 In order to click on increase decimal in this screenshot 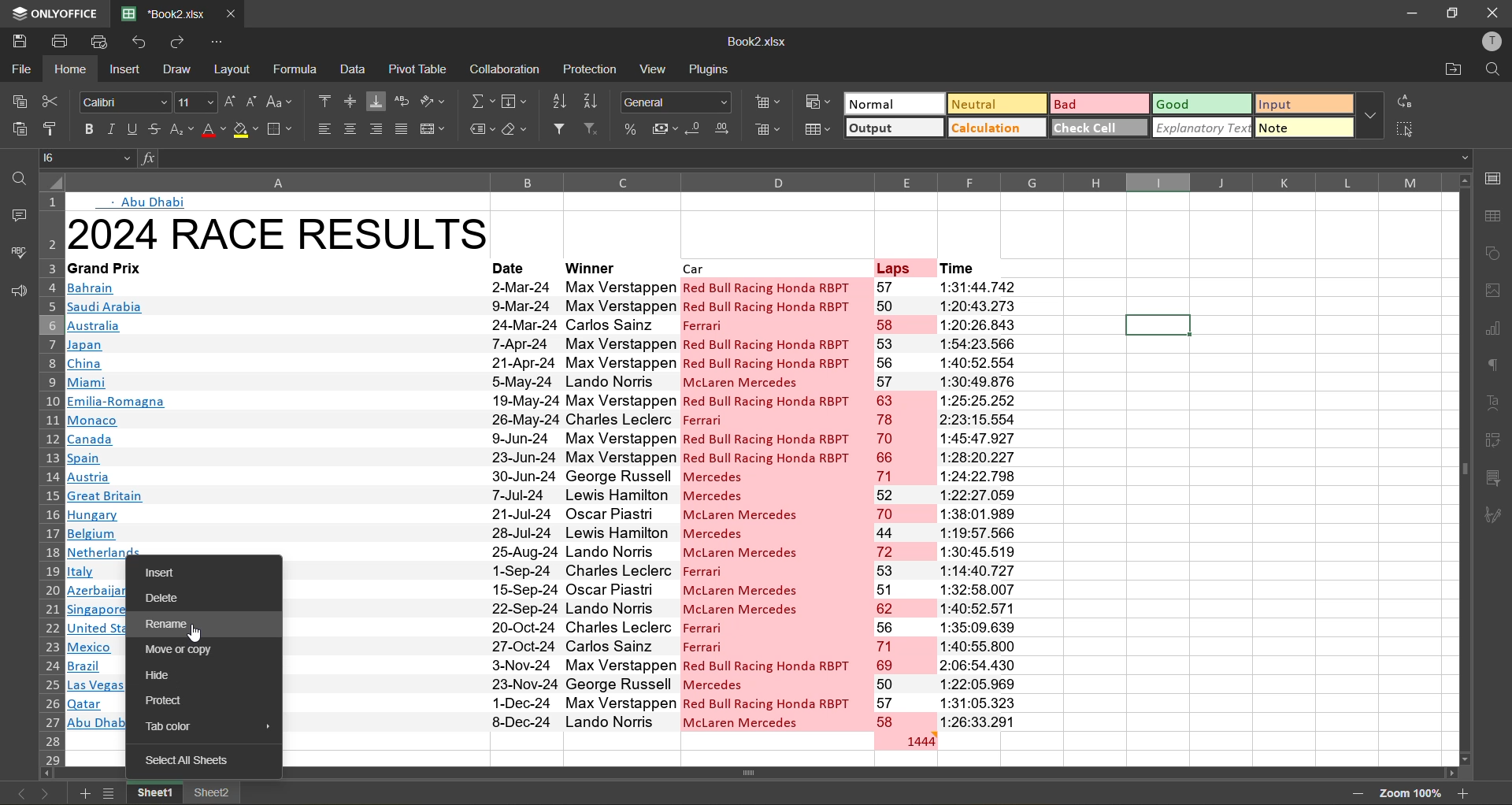, I will do `click(726, 129)`.